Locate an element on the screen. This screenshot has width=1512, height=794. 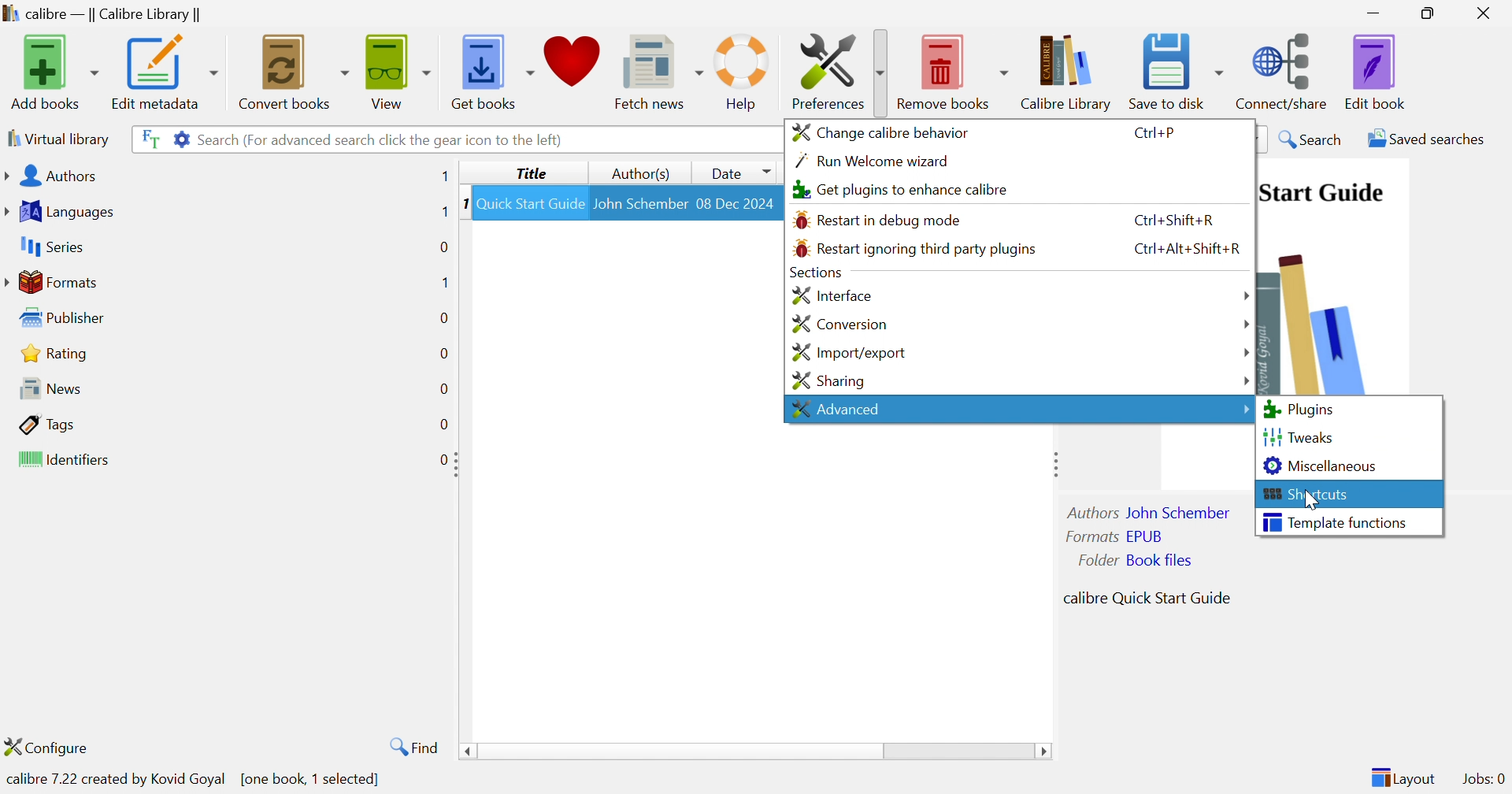
Publisher is located at coordinates (66, 318).